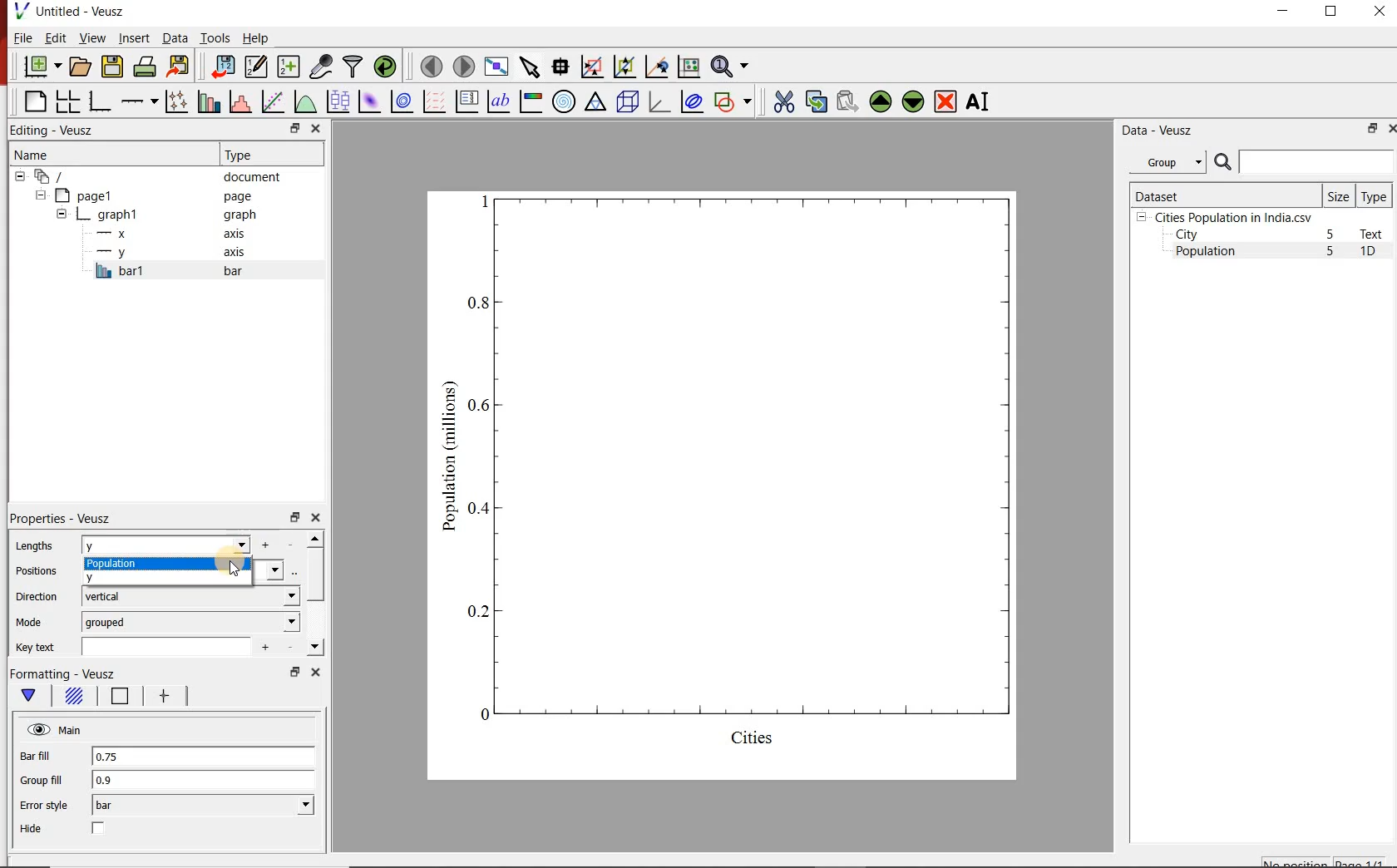  I want to click on Text, so click(1375, 234).